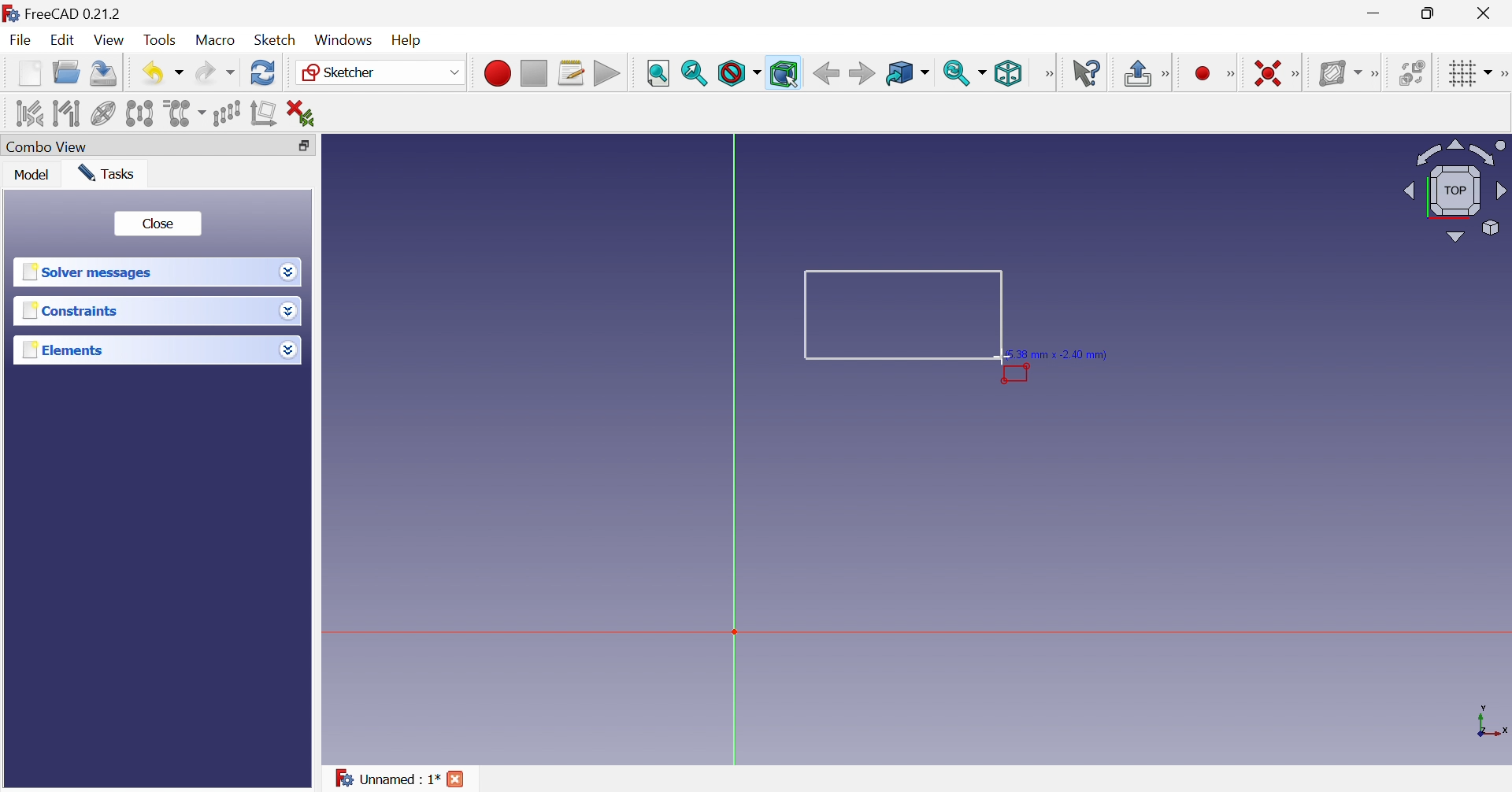 This screenshot has height=792, width=1512. I want to click on View, so click(108, 41).